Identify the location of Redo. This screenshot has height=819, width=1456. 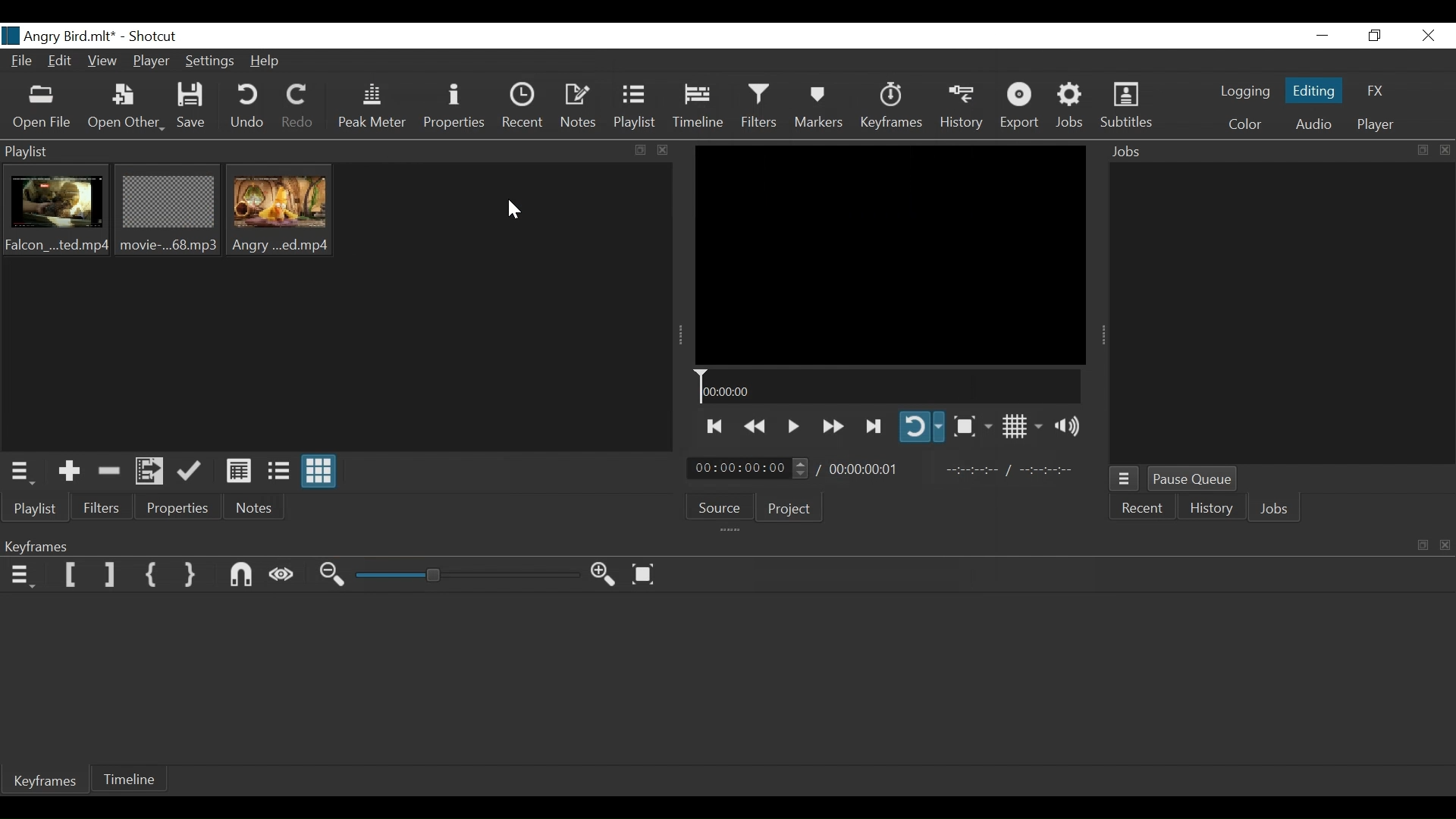
(300, 108).